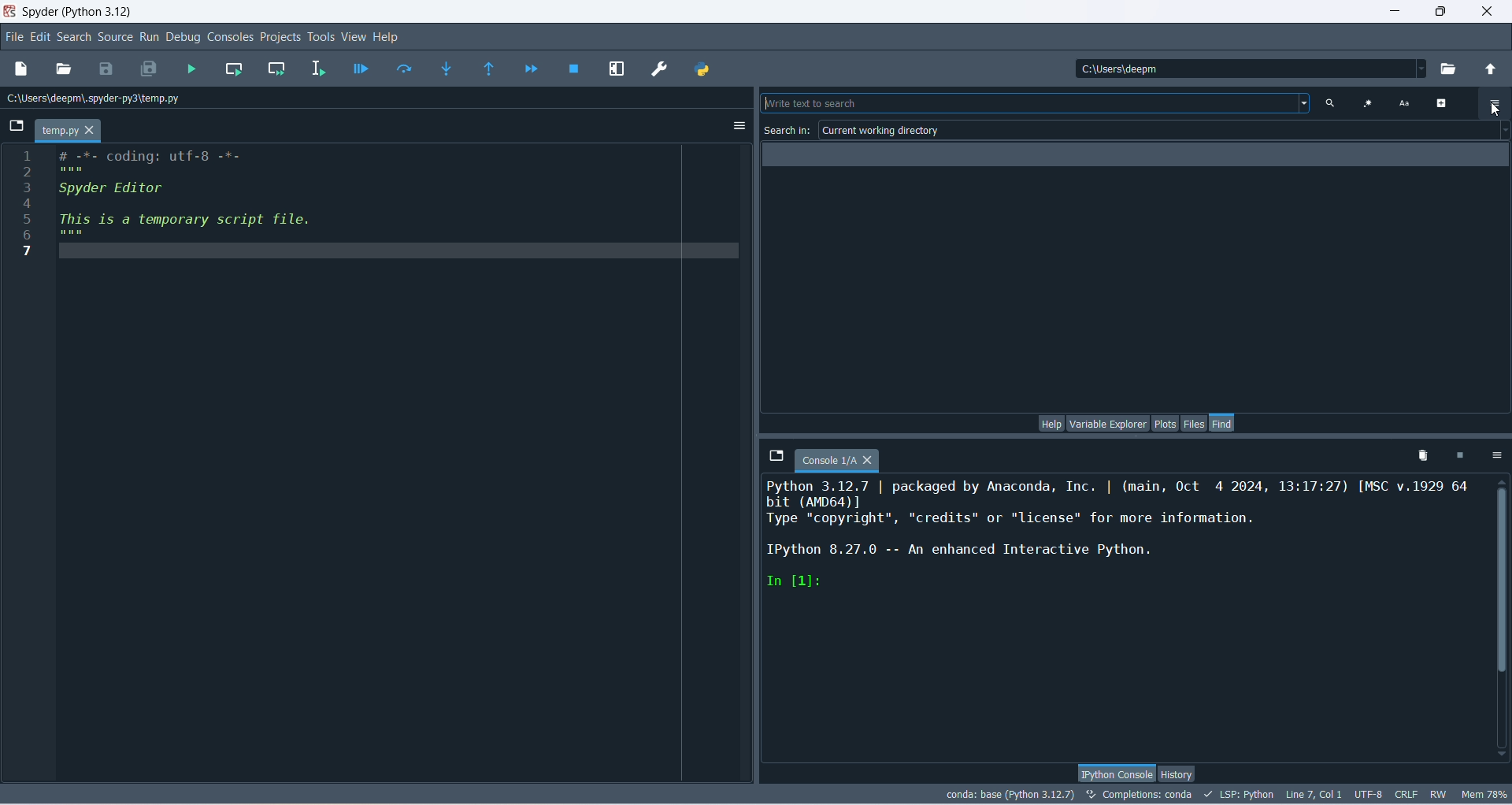 The height and width of the screenshot is (805, 1512). What do you see at coordinates (1195, 423) in the screenshot?
I see `files` at bounding box center [1195, 423].